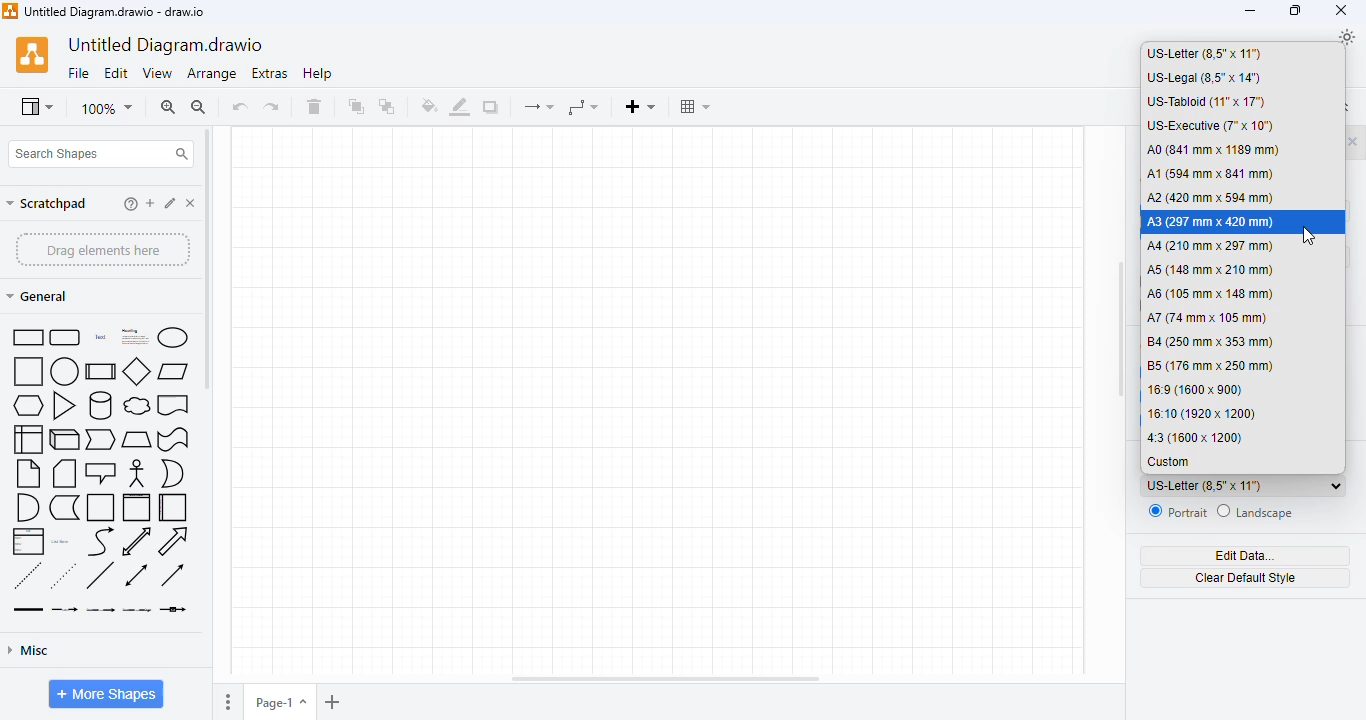  Describe the element at coordinates (100, 575) in the screenshot. I see `line` at that location.